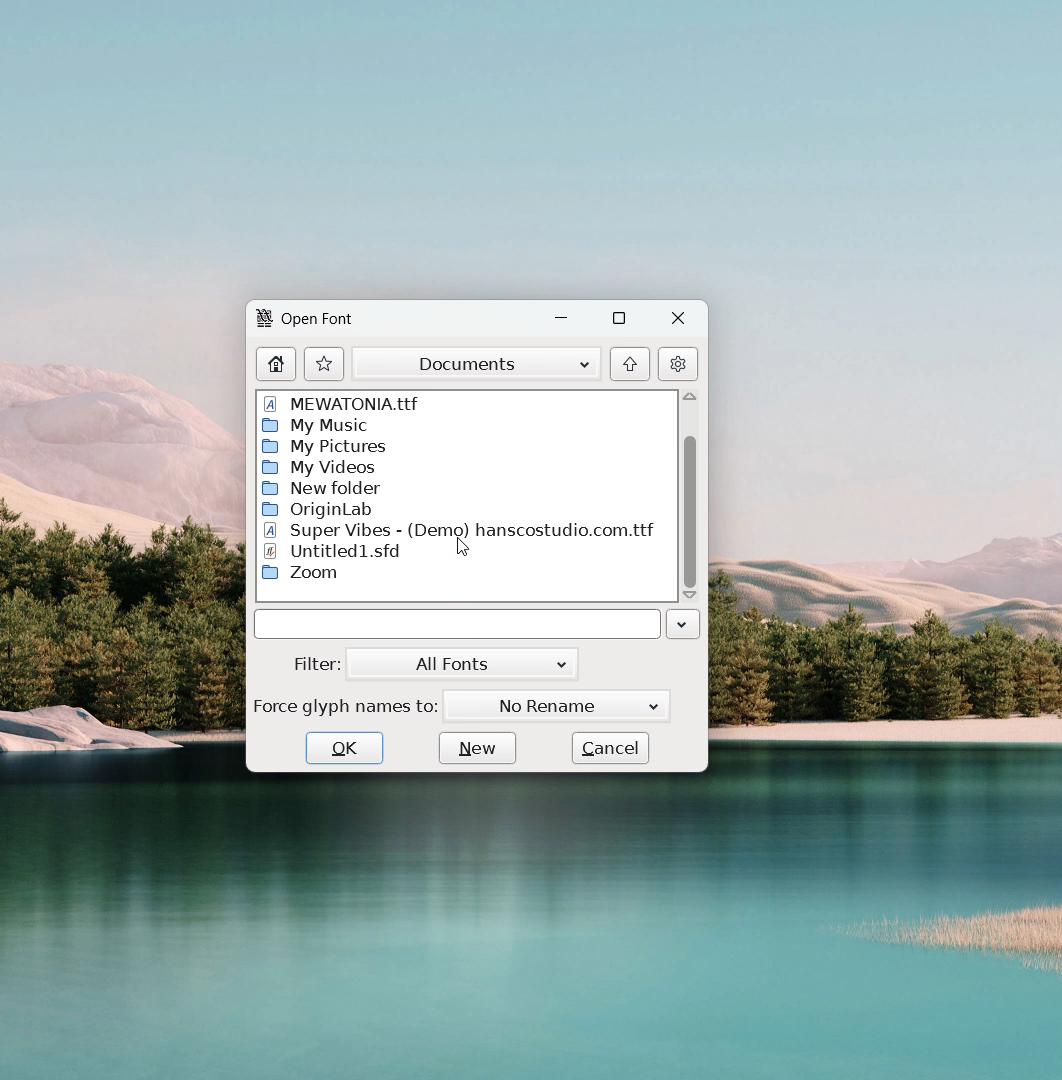  What do you see at coordinates (319, 469) in the screenshot?
I see `My Videos` at bounding box center [319, 469].